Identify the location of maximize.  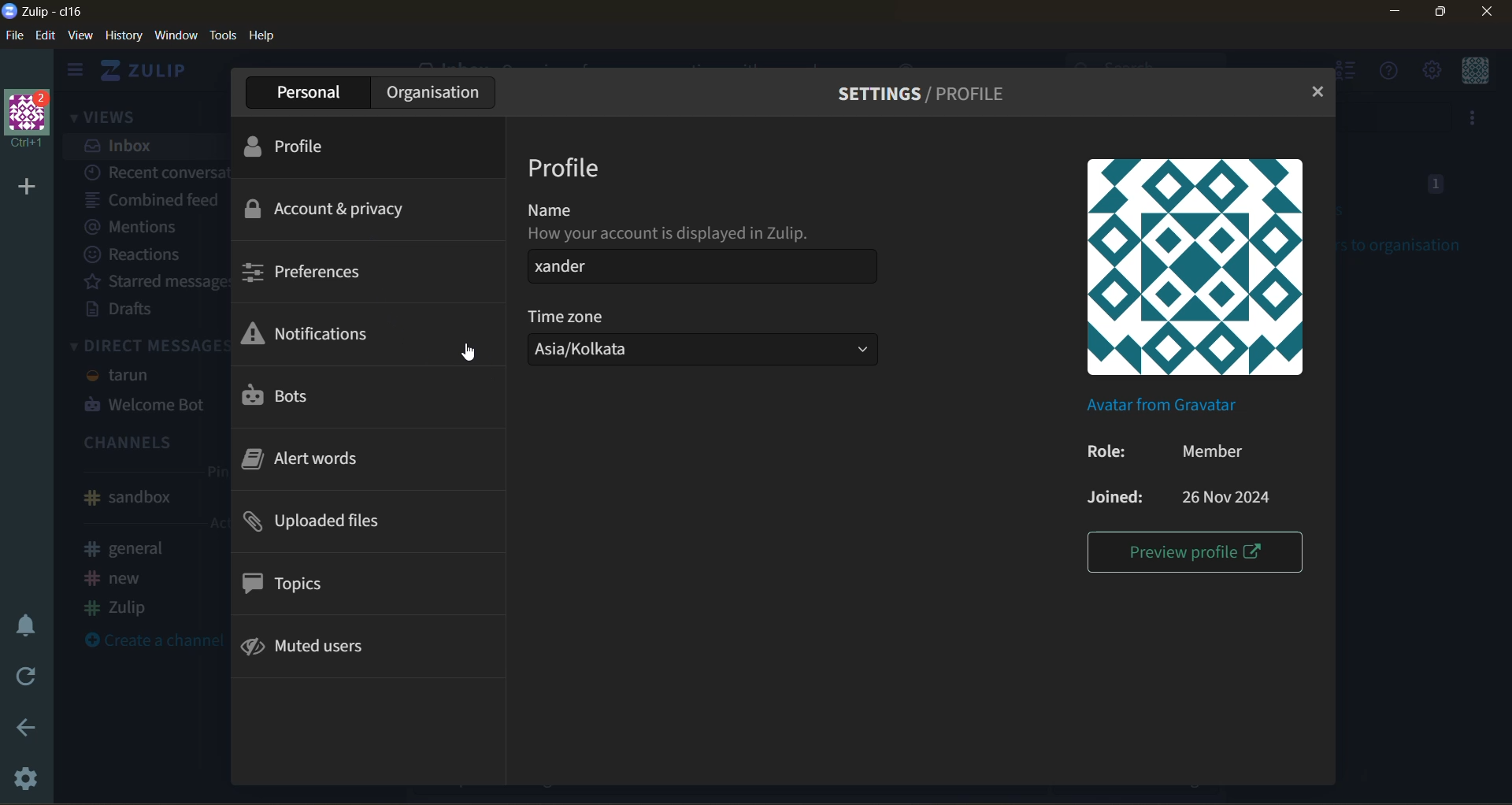
(1440, 15).